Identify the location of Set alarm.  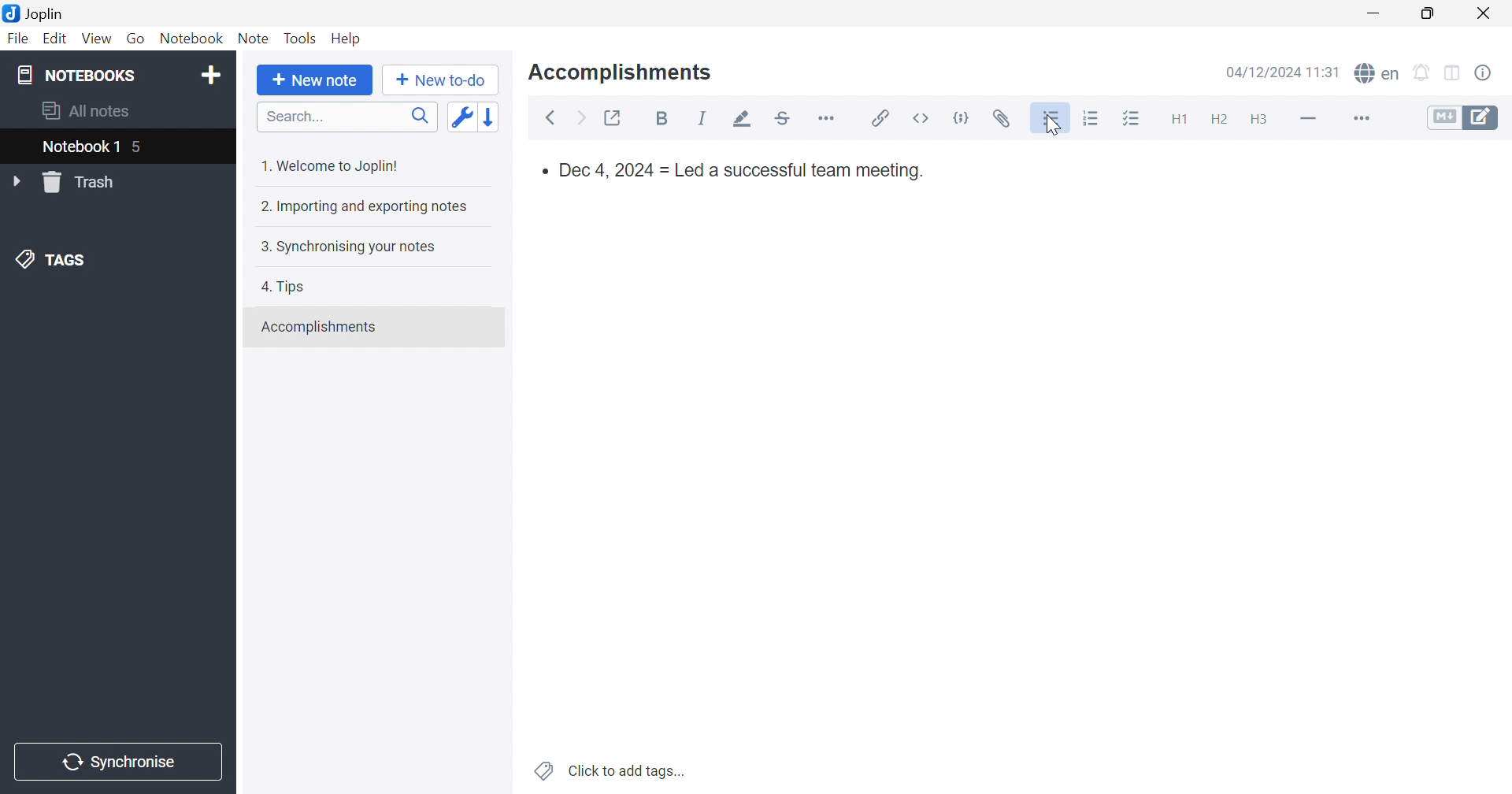
(1425, 74).